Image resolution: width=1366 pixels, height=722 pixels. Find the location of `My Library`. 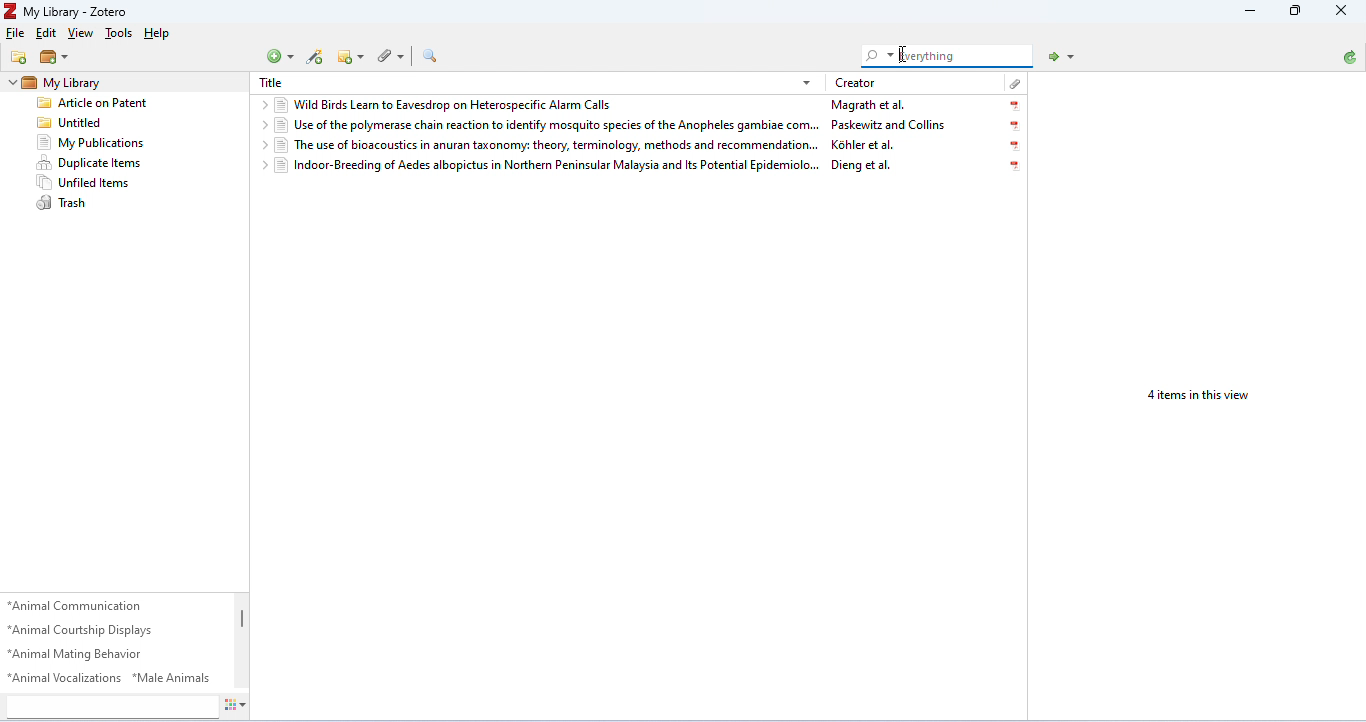

My Library is located at coordinates (64, 81).